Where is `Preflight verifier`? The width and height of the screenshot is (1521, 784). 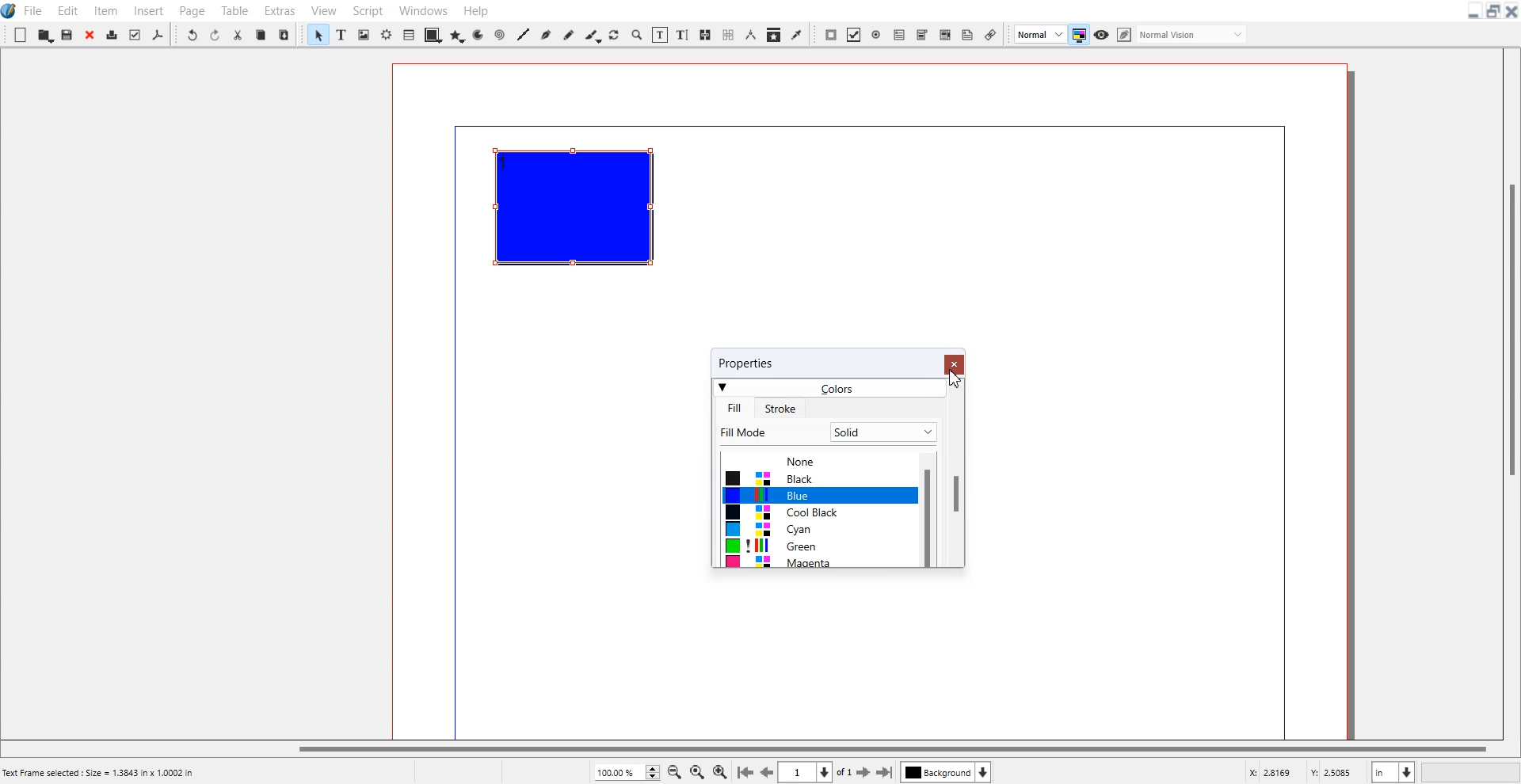
Preflight verifier is located at coordinates (135, 33).